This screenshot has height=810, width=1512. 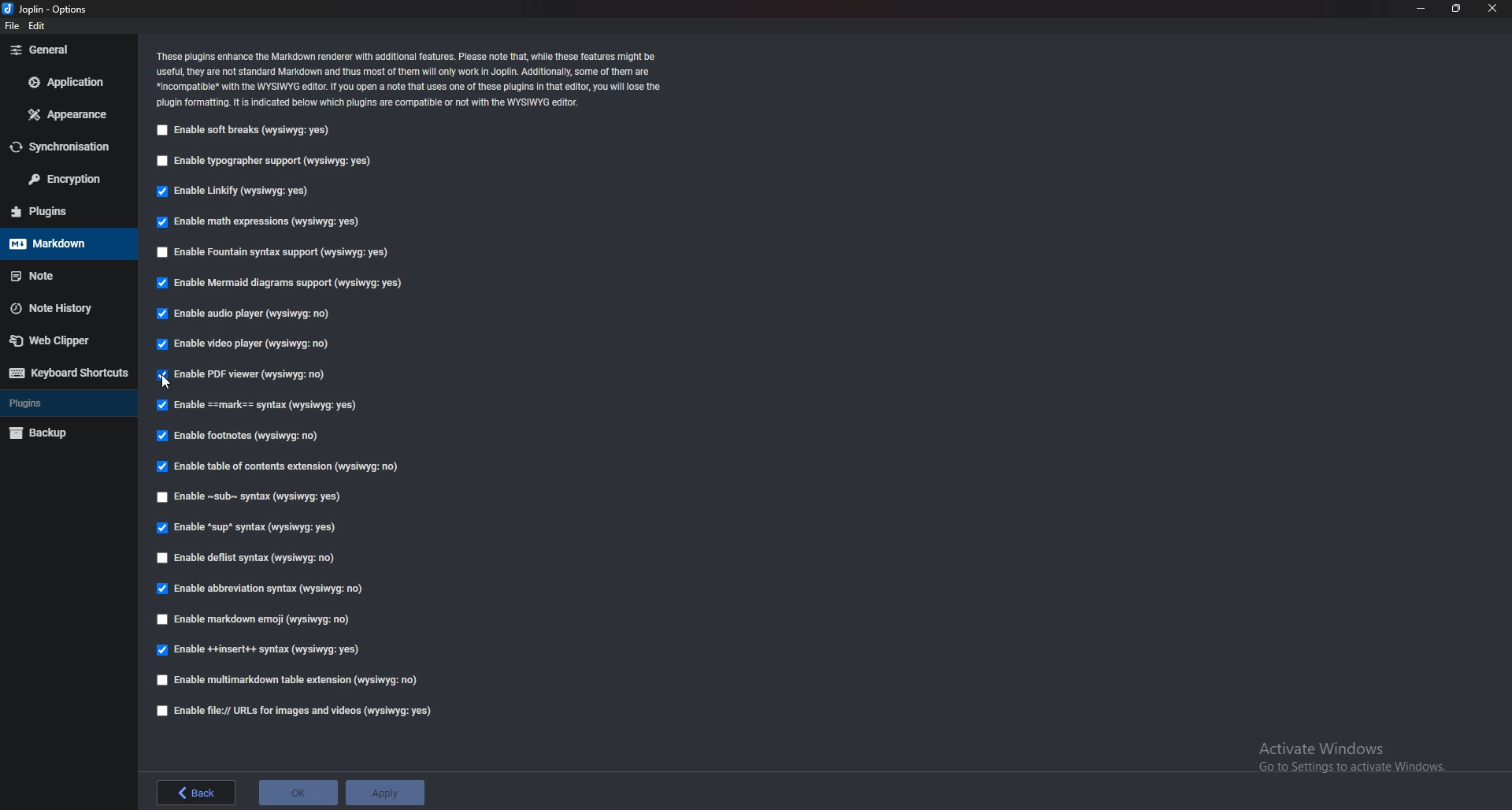 What do you see at coordinates (265, 587) in the screenshot?
I see `Enable abbreviation syntax` at bounding box center [265, 587].